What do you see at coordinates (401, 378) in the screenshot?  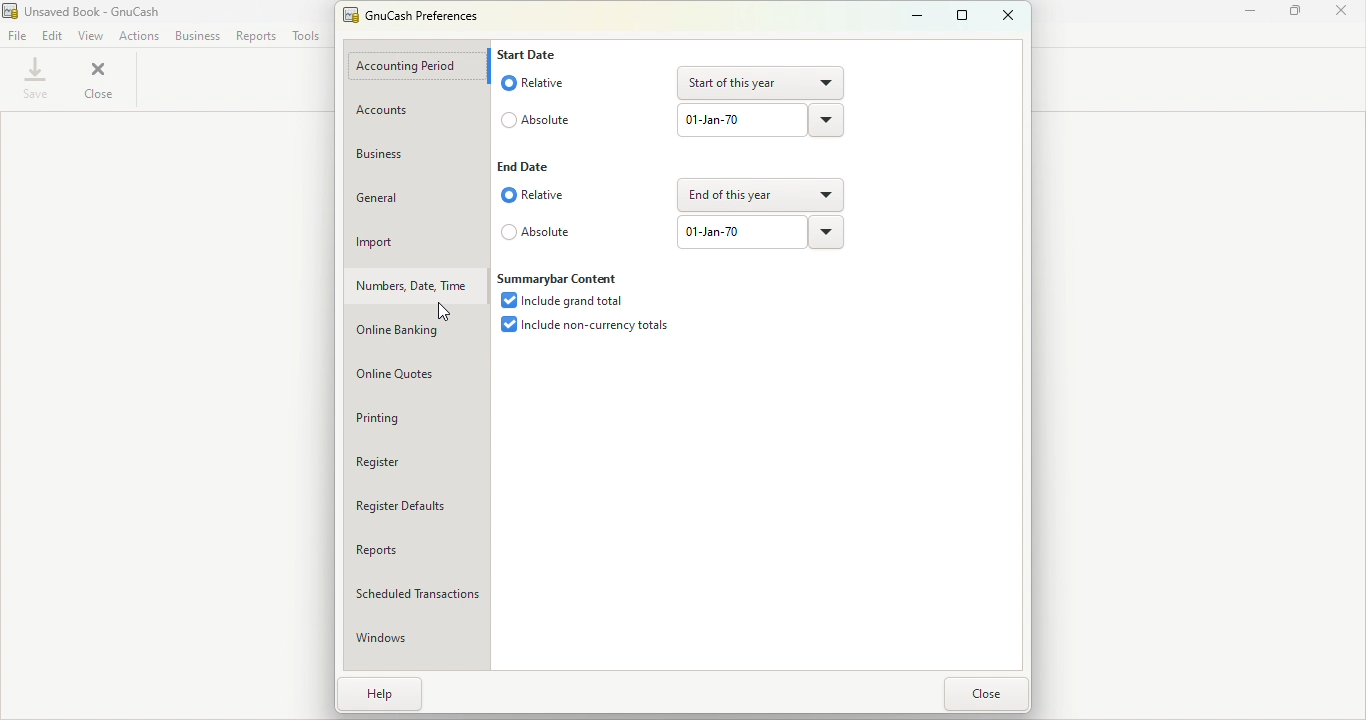 I see `Online quotes` at bounding box center [401, 378].